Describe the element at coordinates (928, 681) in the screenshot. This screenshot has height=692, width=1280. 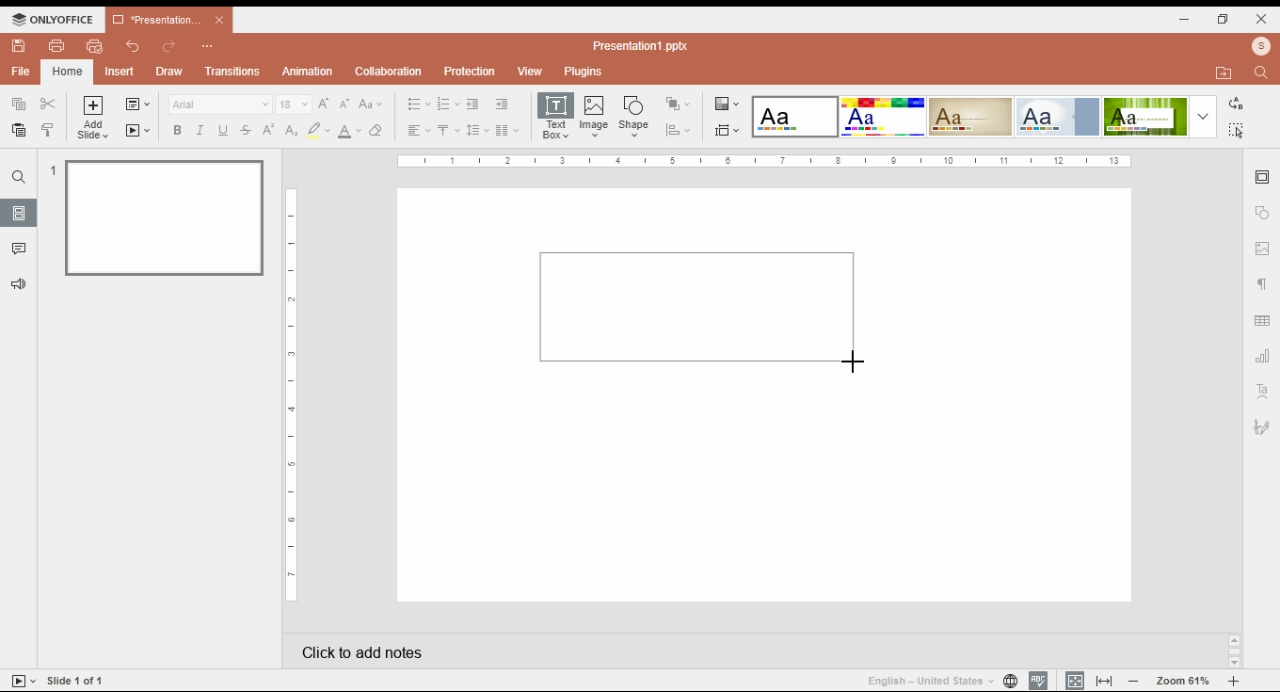
I see `language` at that location.